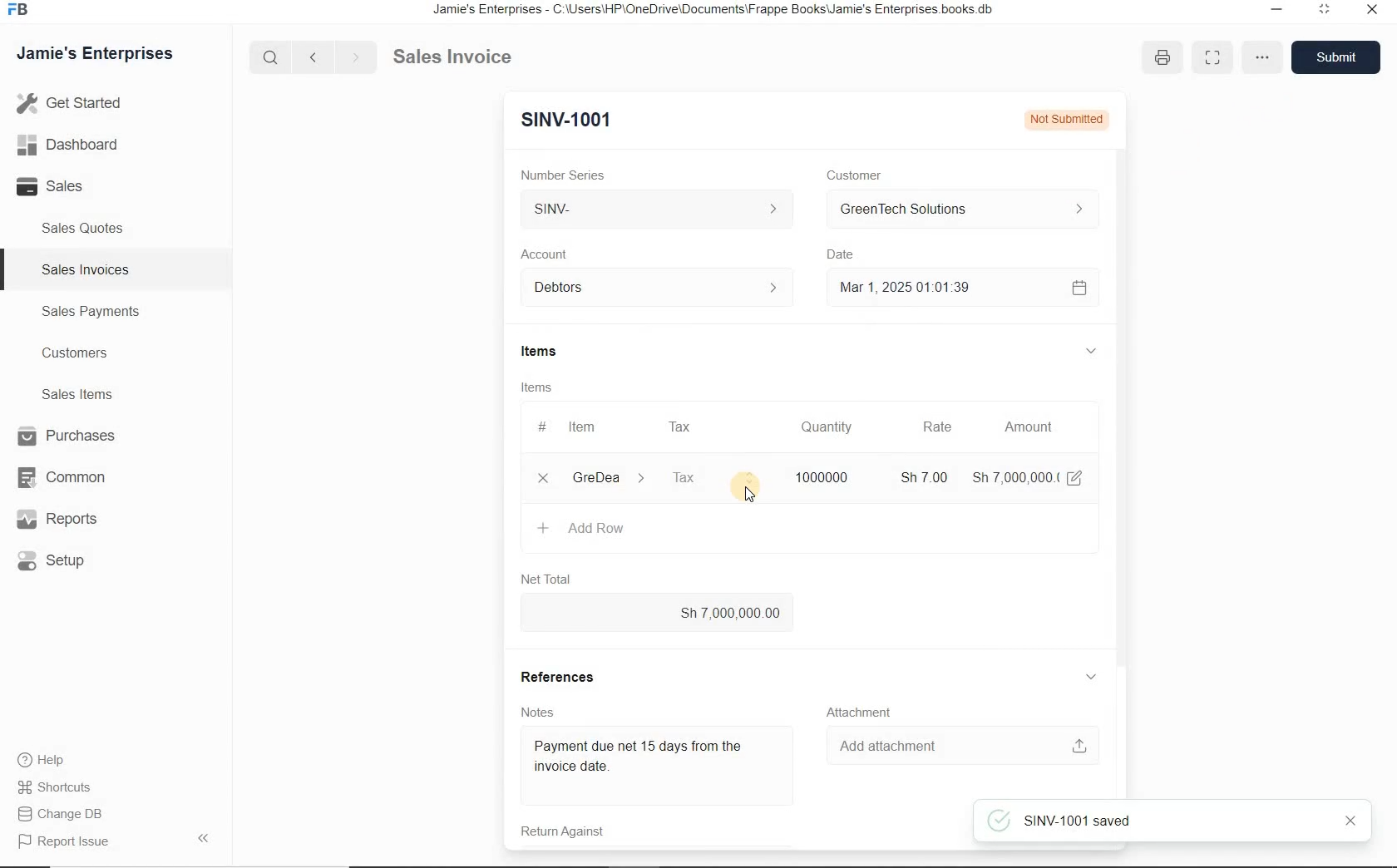 The height and width of the screenshot is (868, 1397). Describe the element at coordinates (863, 711) in the screenshot. I see `Attachment` at that location.